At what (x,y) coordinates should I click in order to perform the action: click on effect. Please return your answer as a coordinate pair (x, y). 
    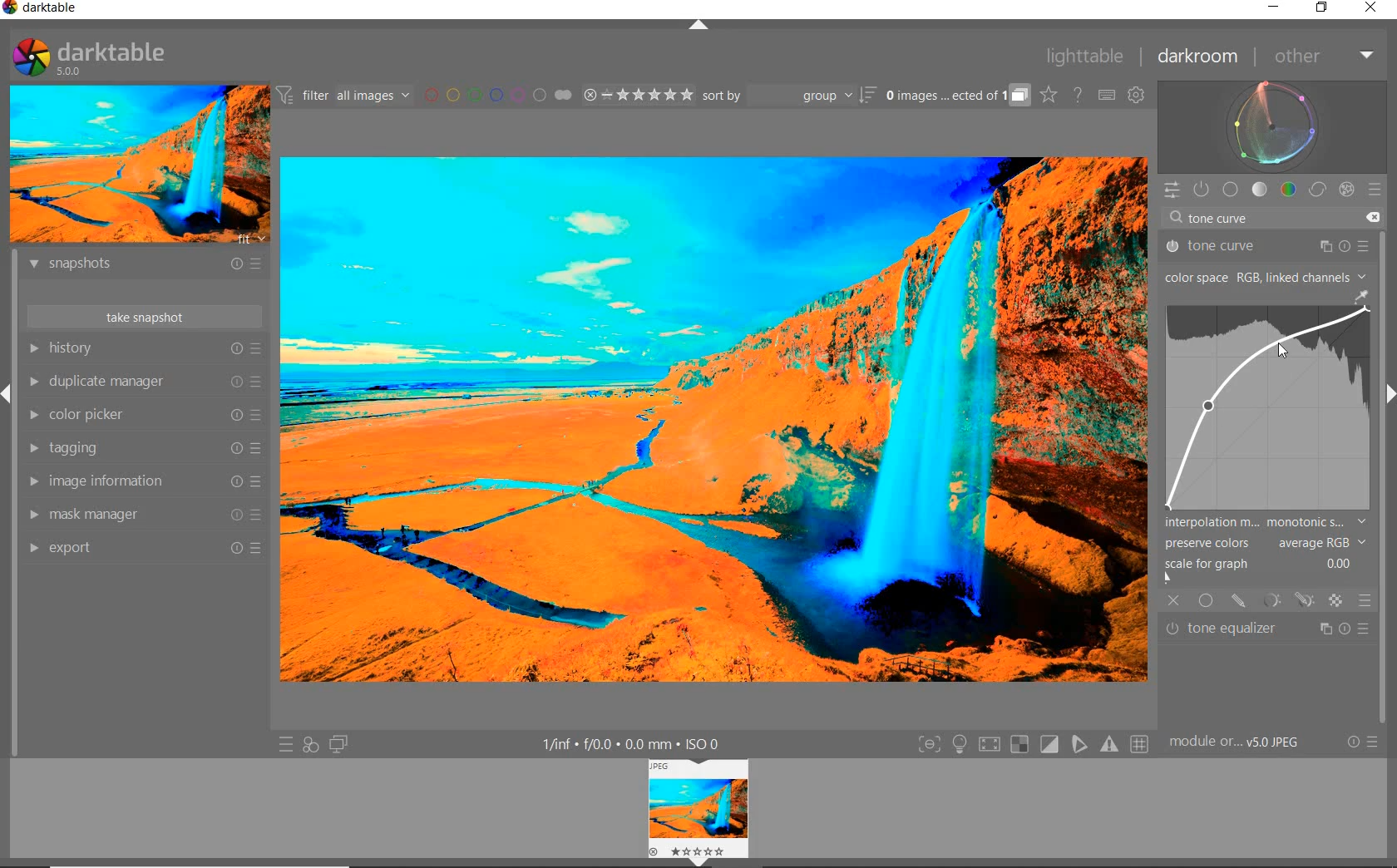
    Looking at the image, I should click on (1344, 189).